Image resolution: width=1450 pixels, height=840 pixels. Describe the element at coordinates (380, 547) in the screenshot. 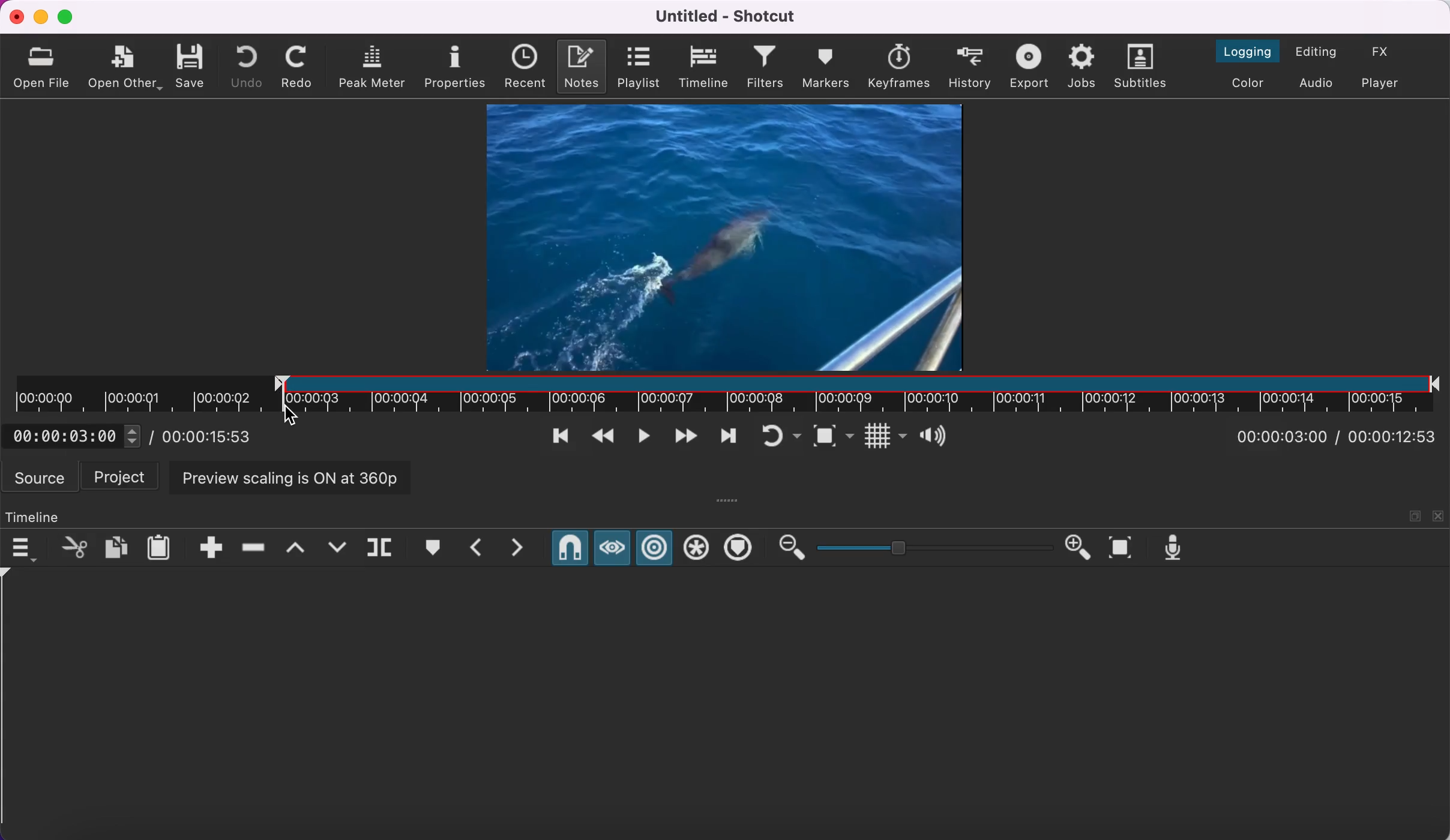

I see `split at playhead` at that location.